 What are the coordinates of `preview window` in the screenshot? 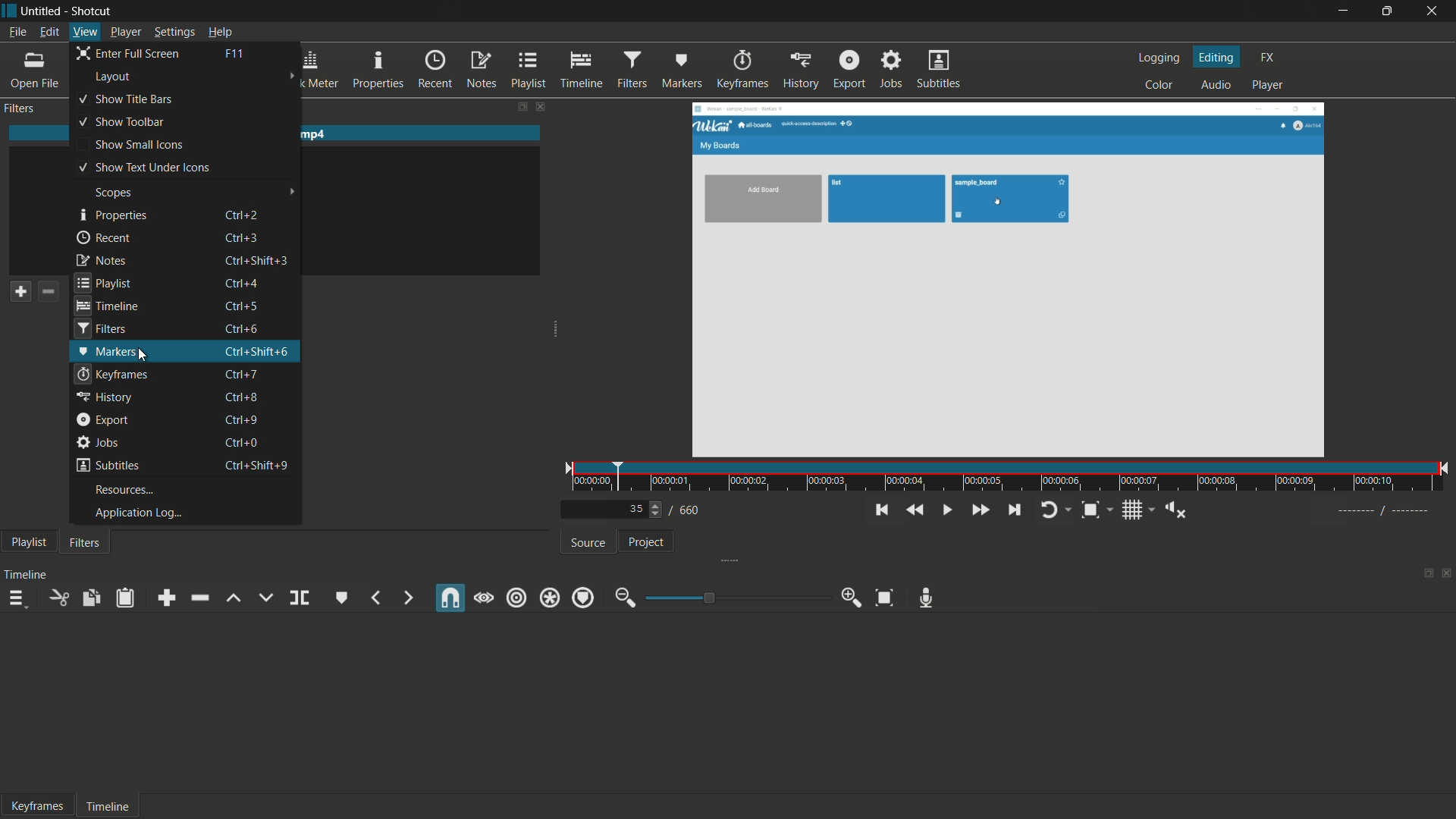 It's located at (1007, 281).